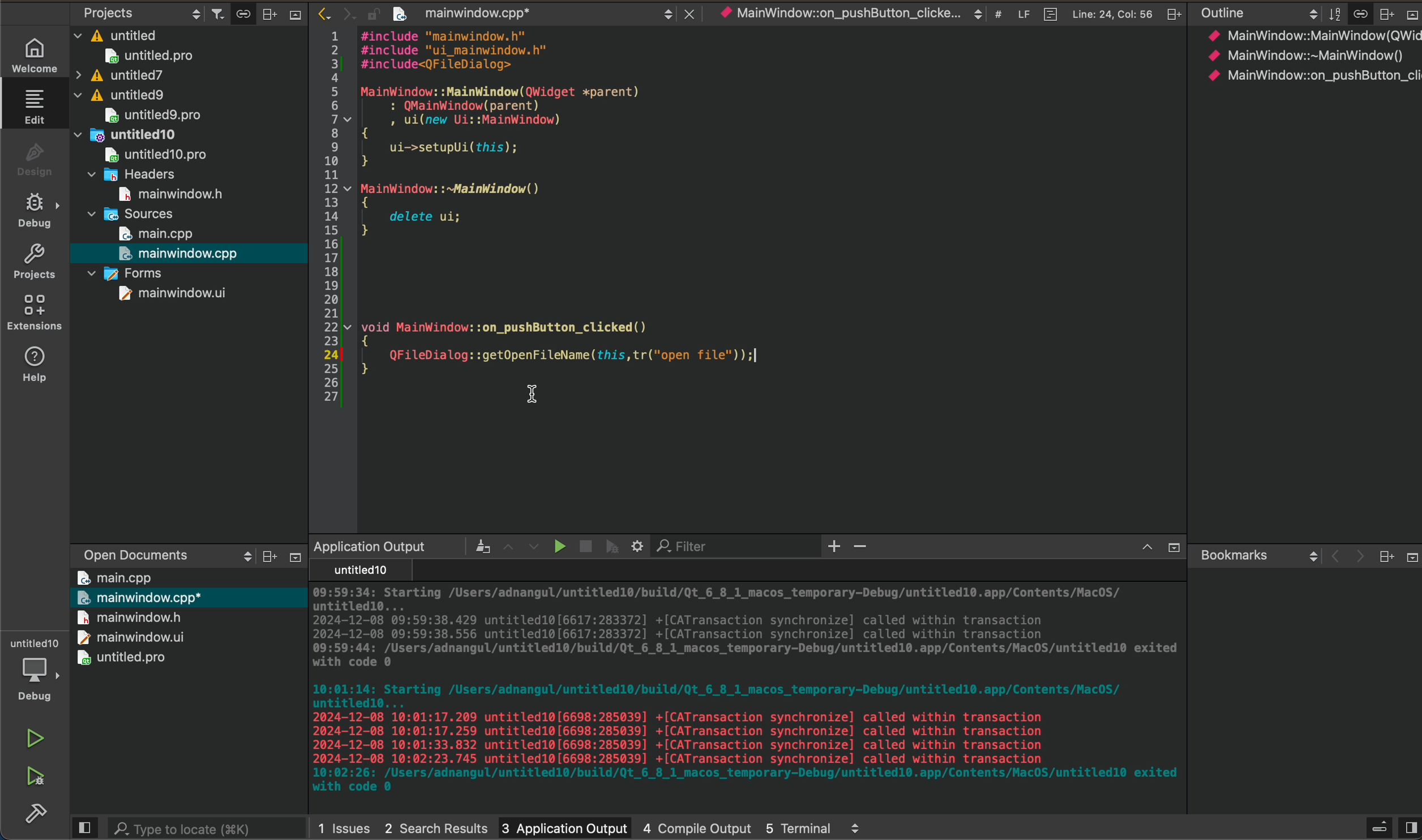 The width and height of the screenshot is (1422, 840). Describe the element at coordinates (190, 12) in the screenshot. I see `scroll` at that location.